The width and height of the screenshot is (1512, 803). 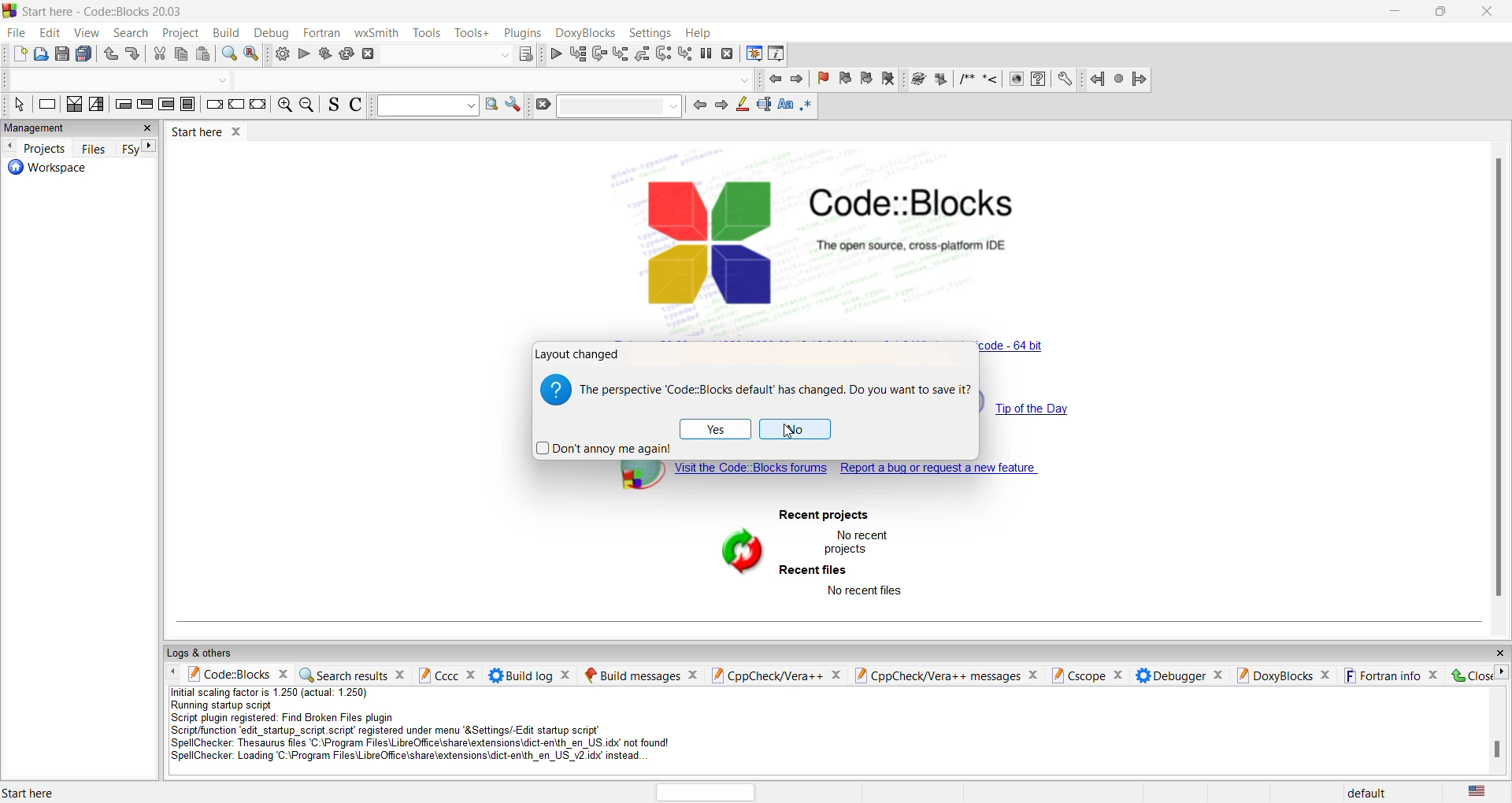 I want to click on cut, so click(x=155, y=54).